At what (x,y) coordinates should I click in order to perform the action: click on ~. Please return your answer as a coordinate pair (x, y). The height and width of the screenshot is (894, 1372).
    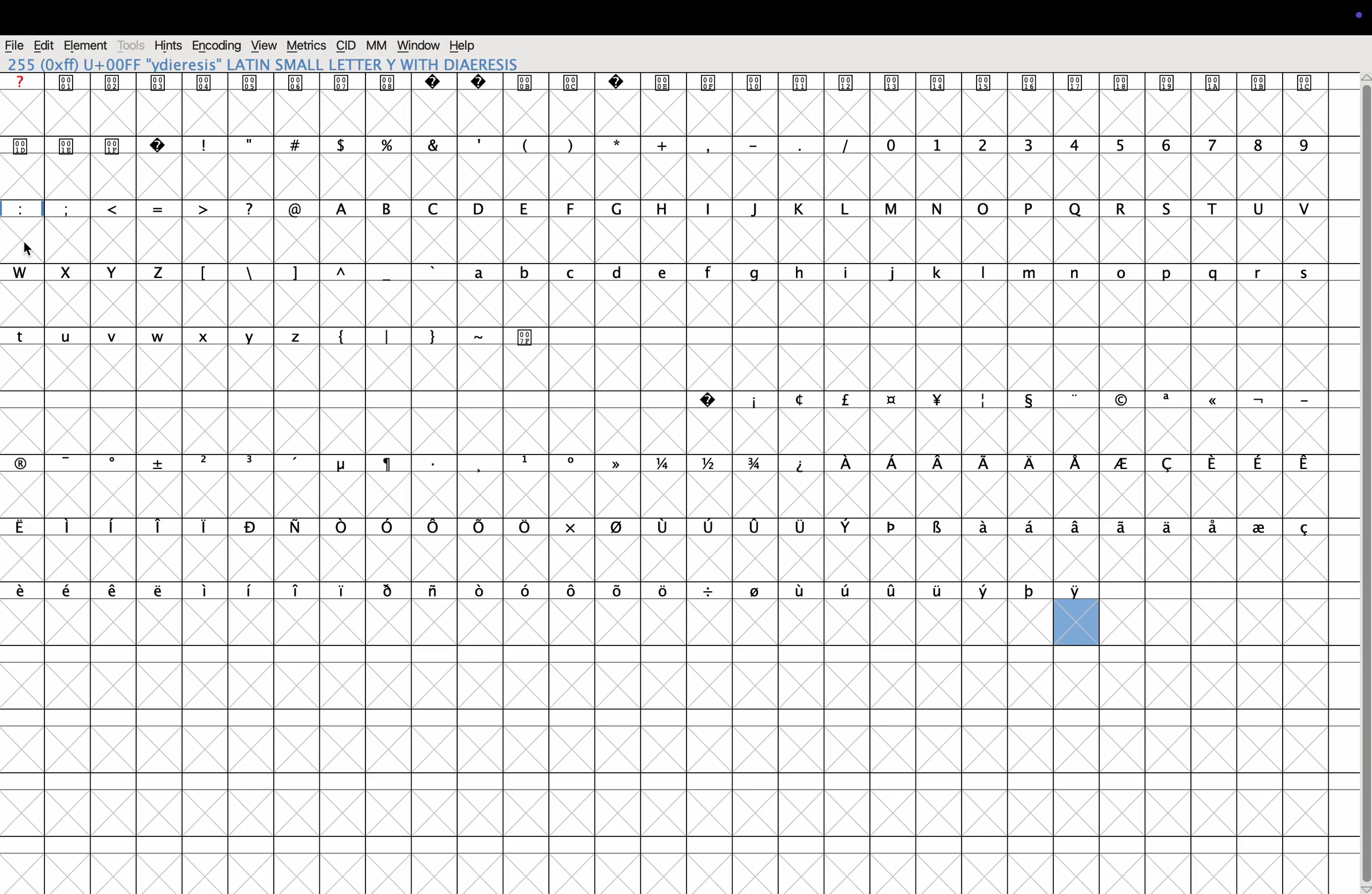
    Looking at the image, I should click on (484, 359).